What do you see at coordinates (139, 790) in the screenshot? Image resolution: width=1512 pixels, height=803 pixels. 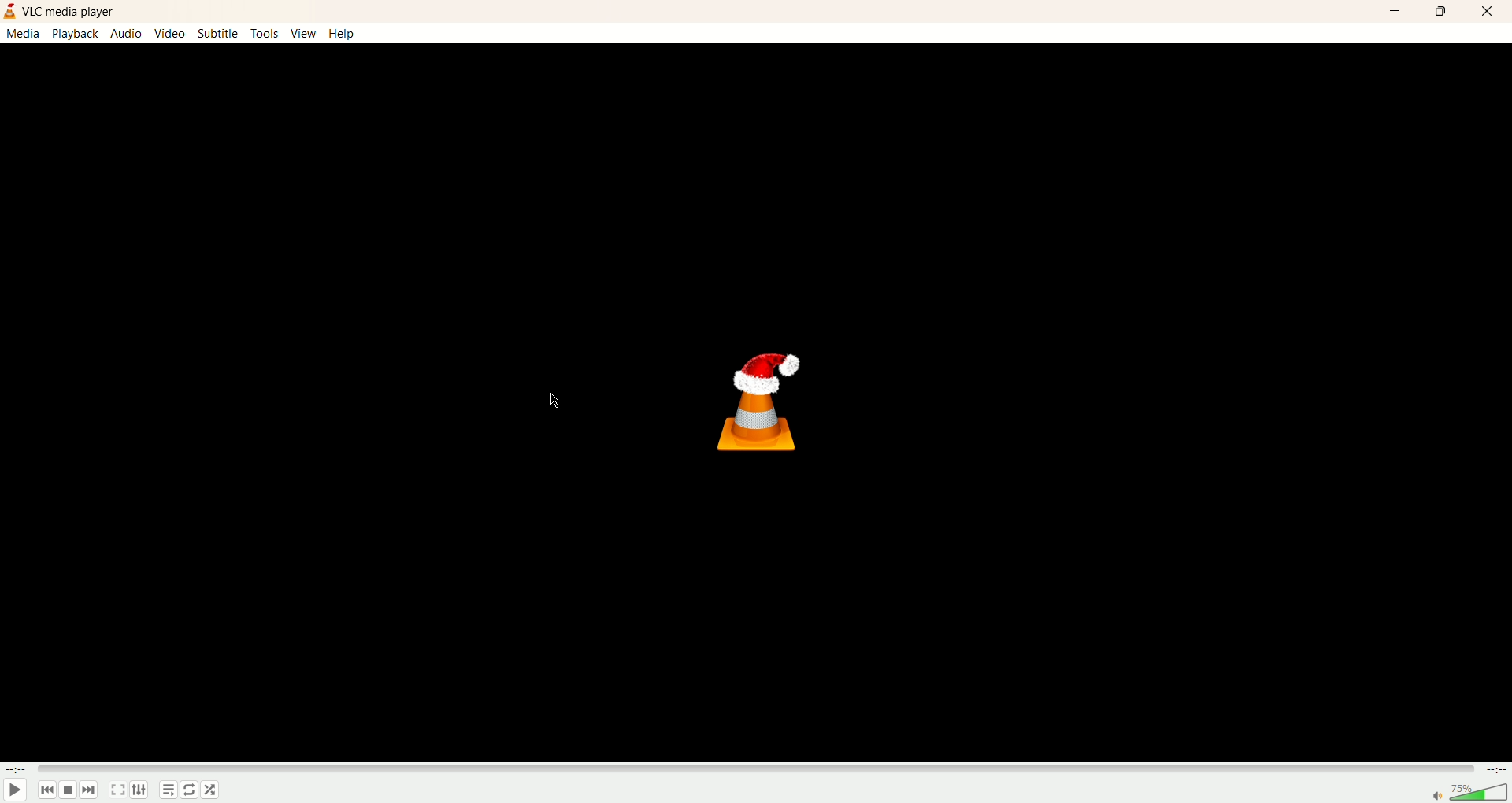 I see `extended setting` at bounding box center [139, 790].